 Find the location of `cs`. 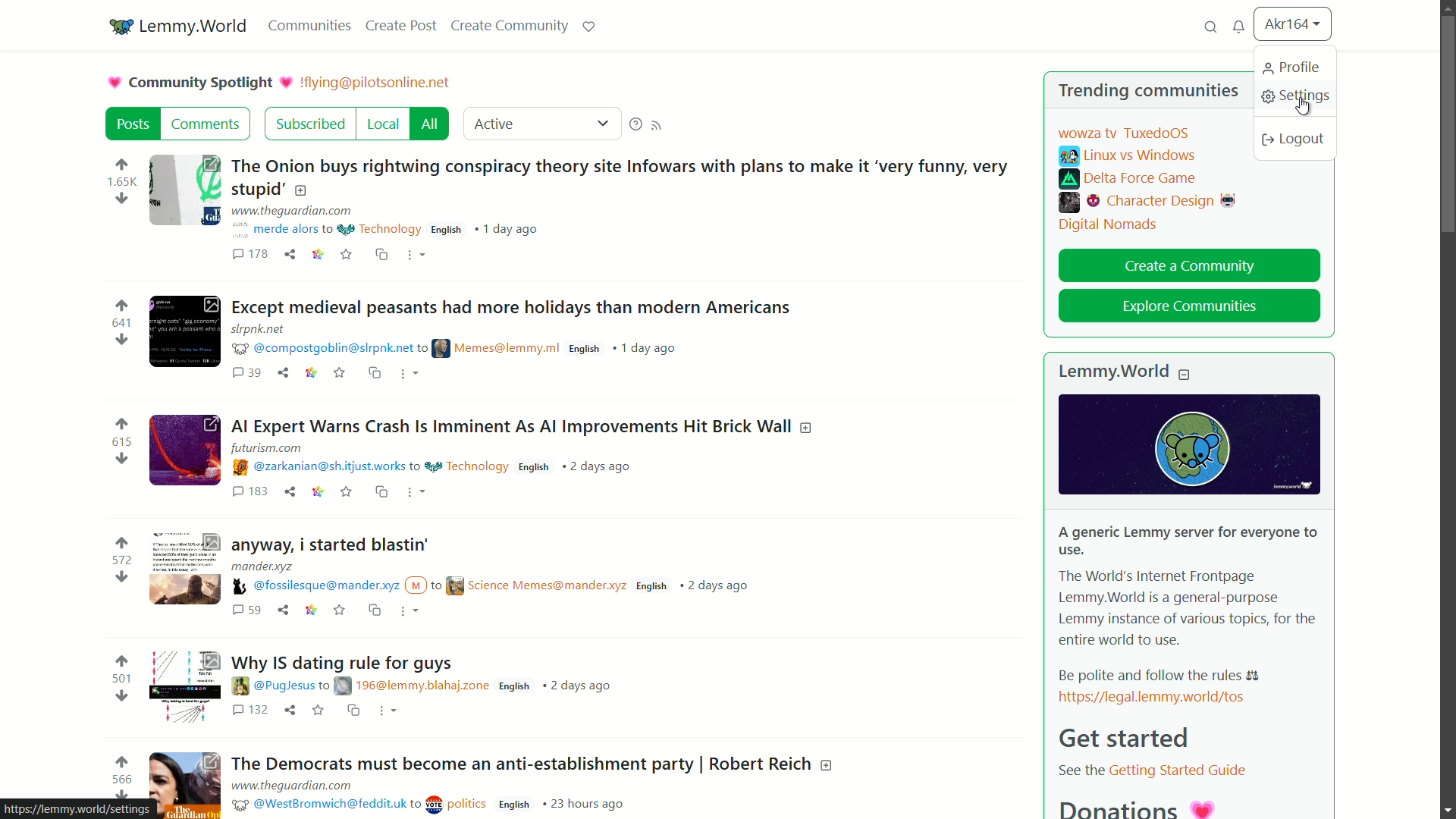

cs is located at coordinates (373, 608).